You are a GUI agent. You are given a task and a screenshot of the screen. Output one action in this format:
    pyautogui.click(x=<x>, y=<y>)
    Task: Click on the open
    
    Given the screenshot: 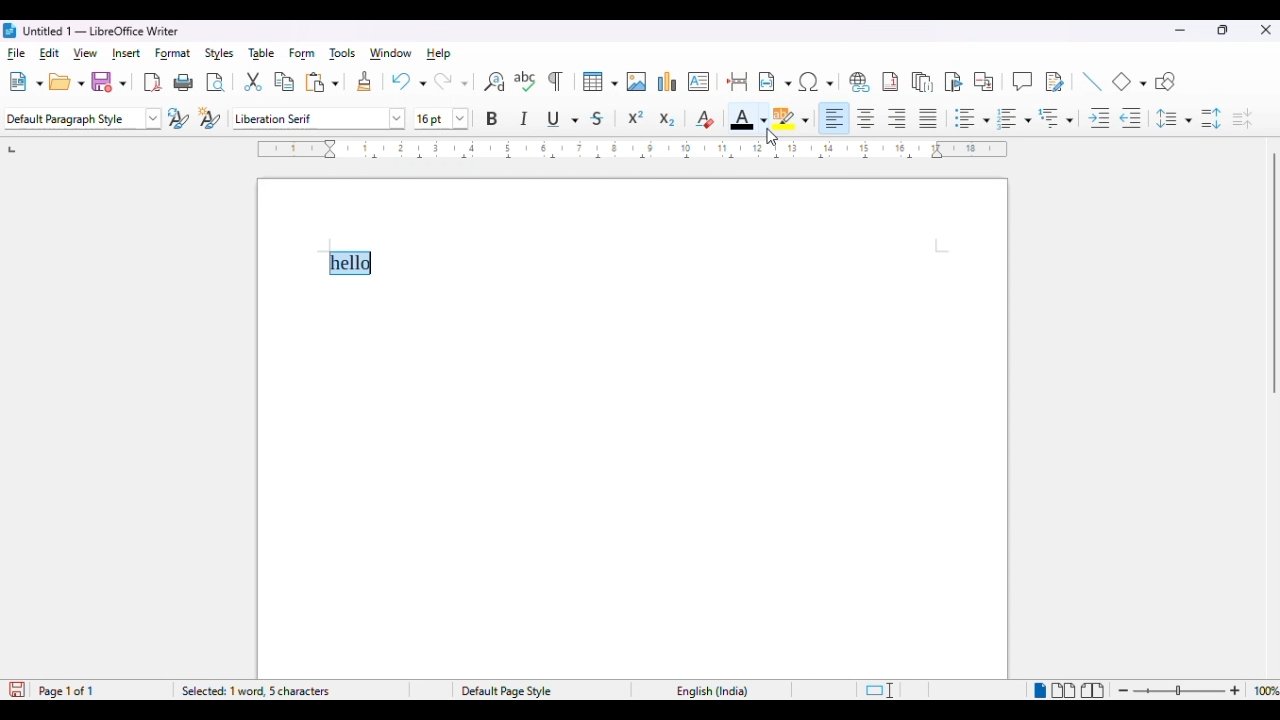 What is the action you would take?
    pyautogui.click(x=66, y=83)
    